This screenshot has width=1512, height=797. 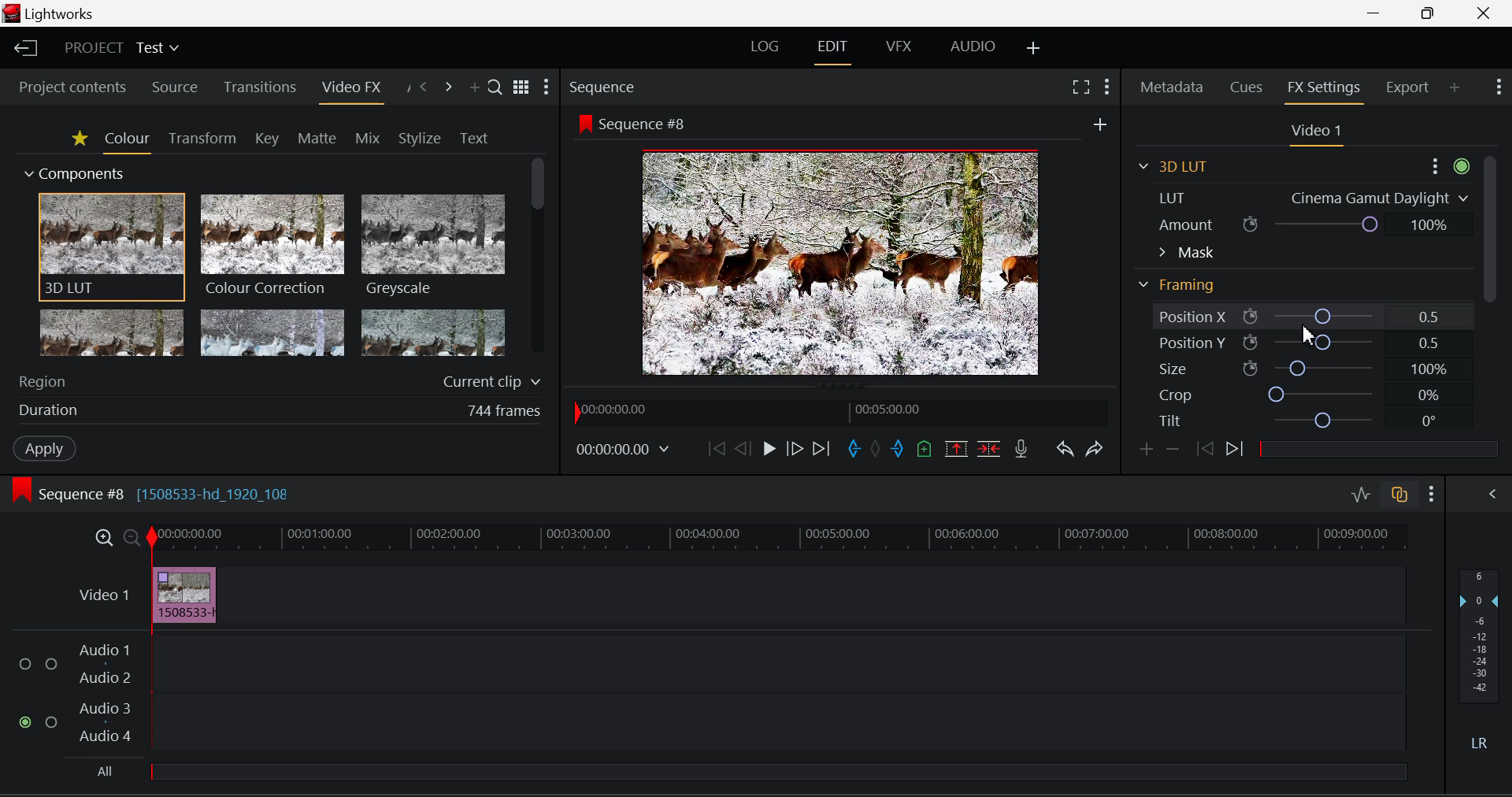 I want to click on Undo, so click(x=1066, y=451).